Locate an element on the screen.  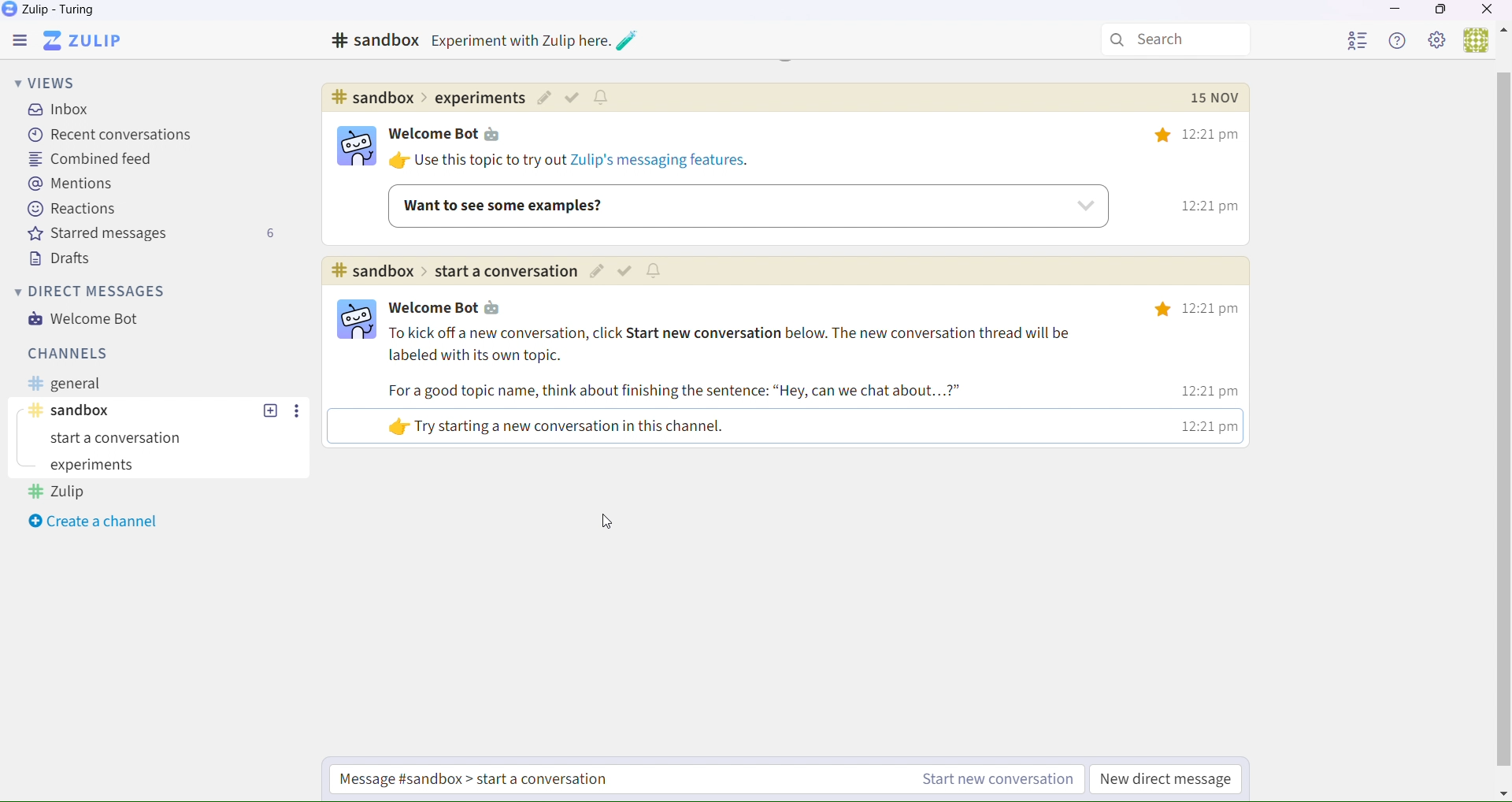
Zulip is located at coordinates (60, 495).